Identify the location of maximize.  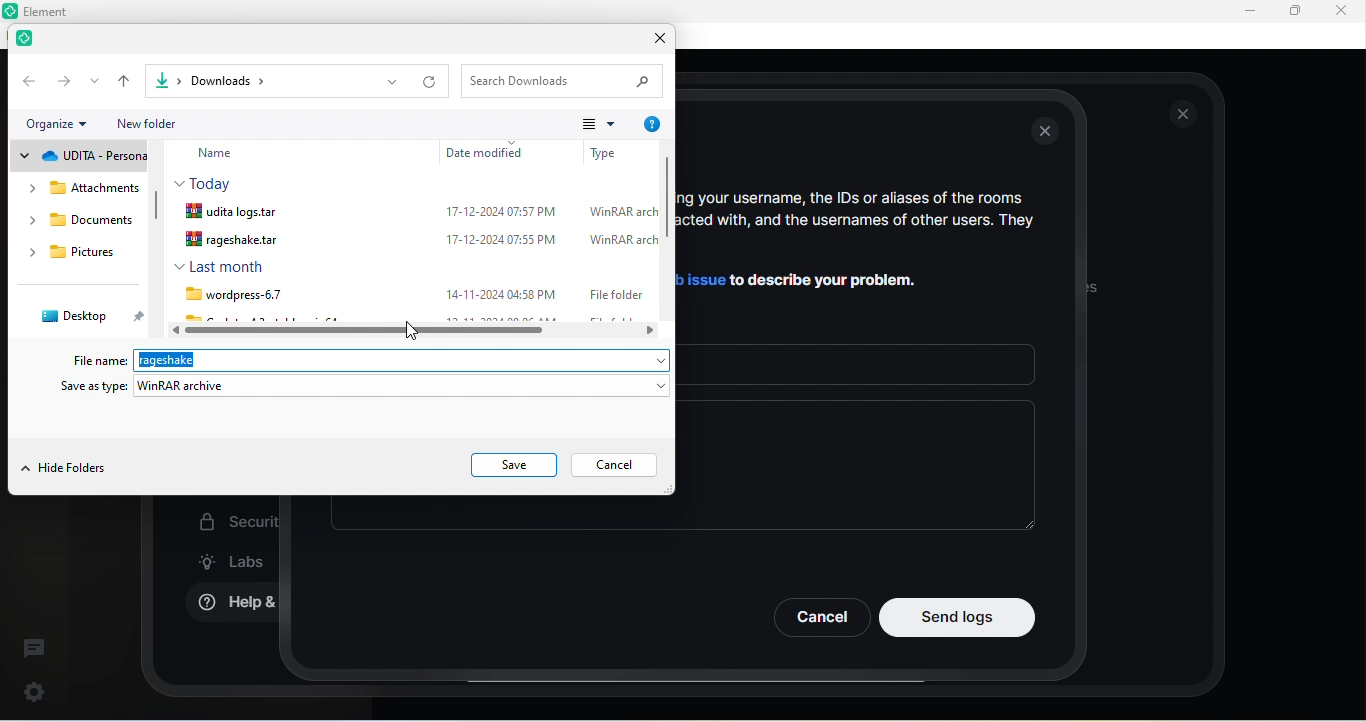
(1294, 12).